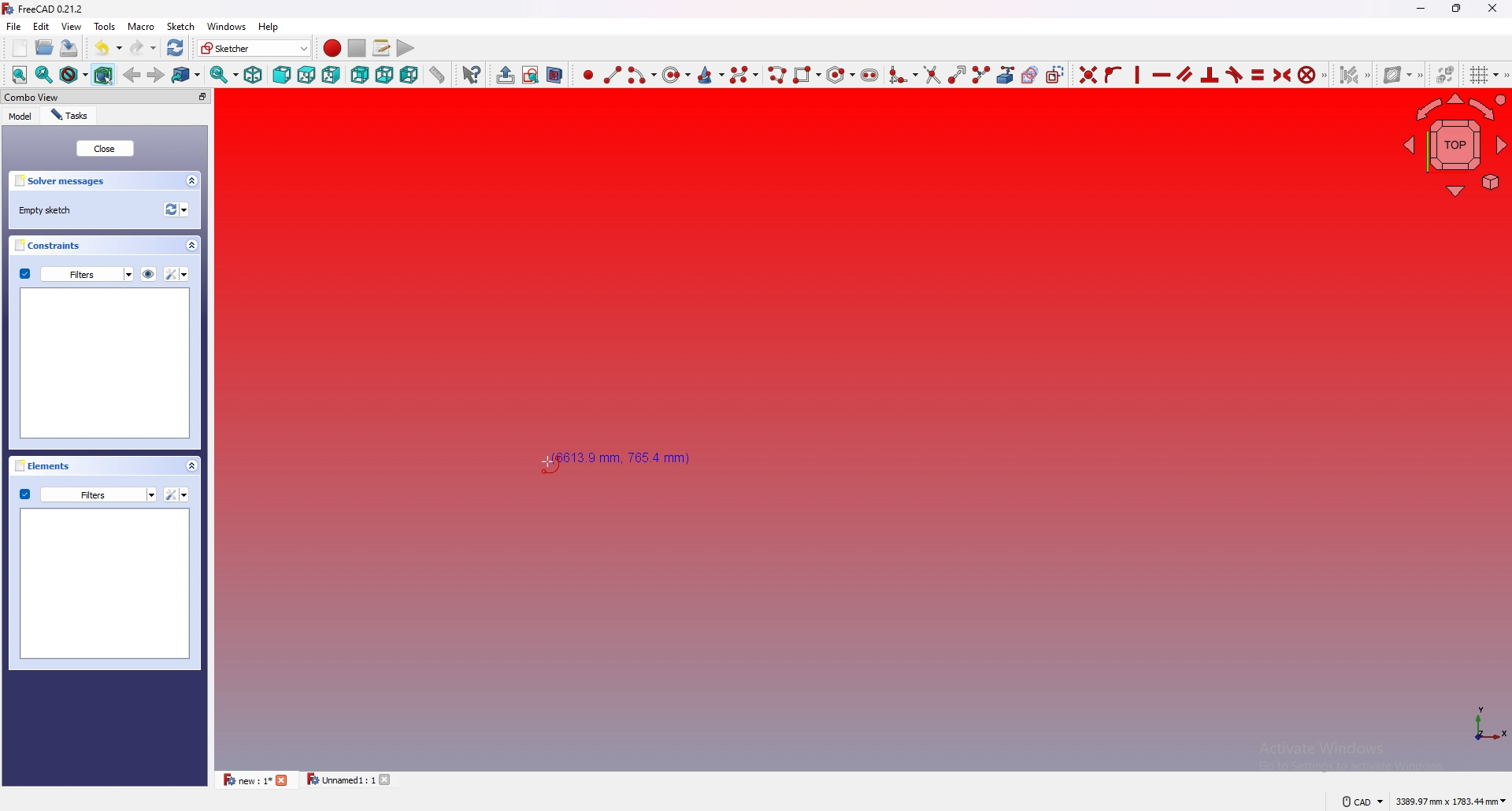  I want to click on pop out, so click(202, 97).